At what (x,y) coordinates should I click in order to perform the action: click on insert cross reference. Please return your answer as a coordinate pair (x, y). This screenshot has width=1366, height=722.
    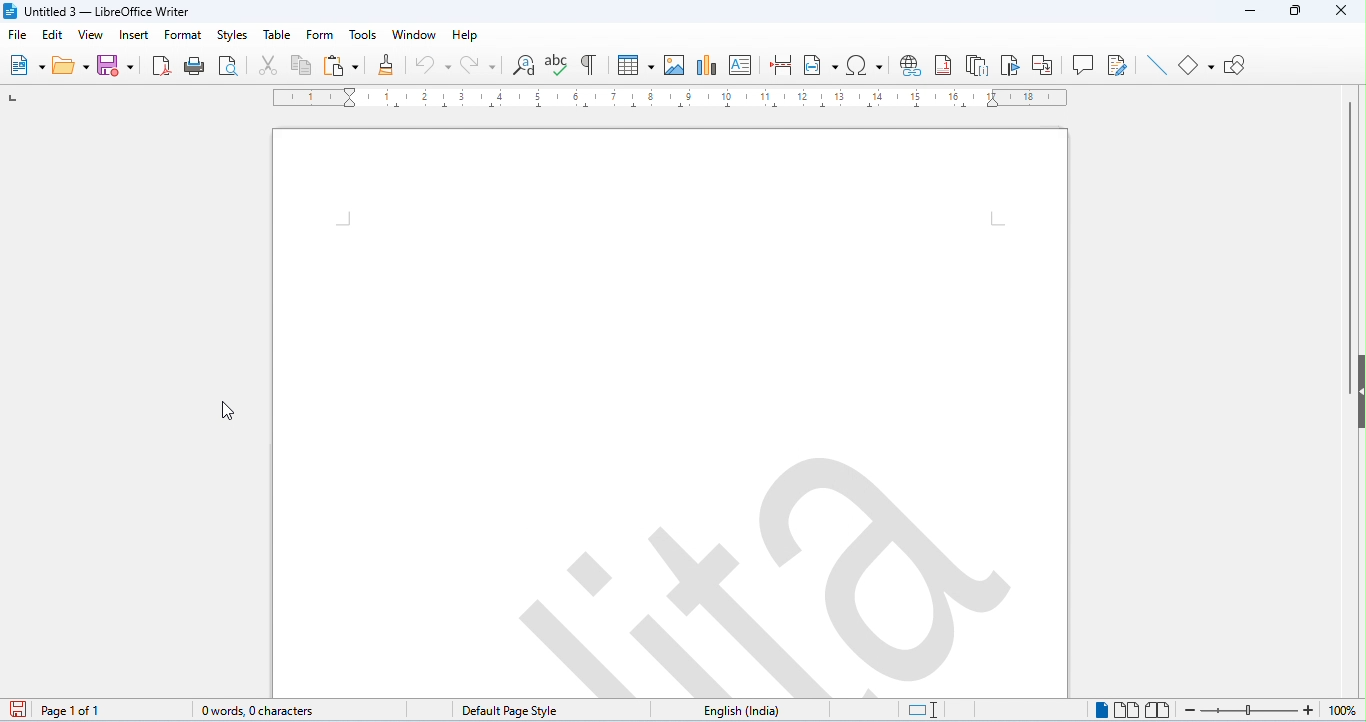
    Looking at the image, I should click on (1045, 67).